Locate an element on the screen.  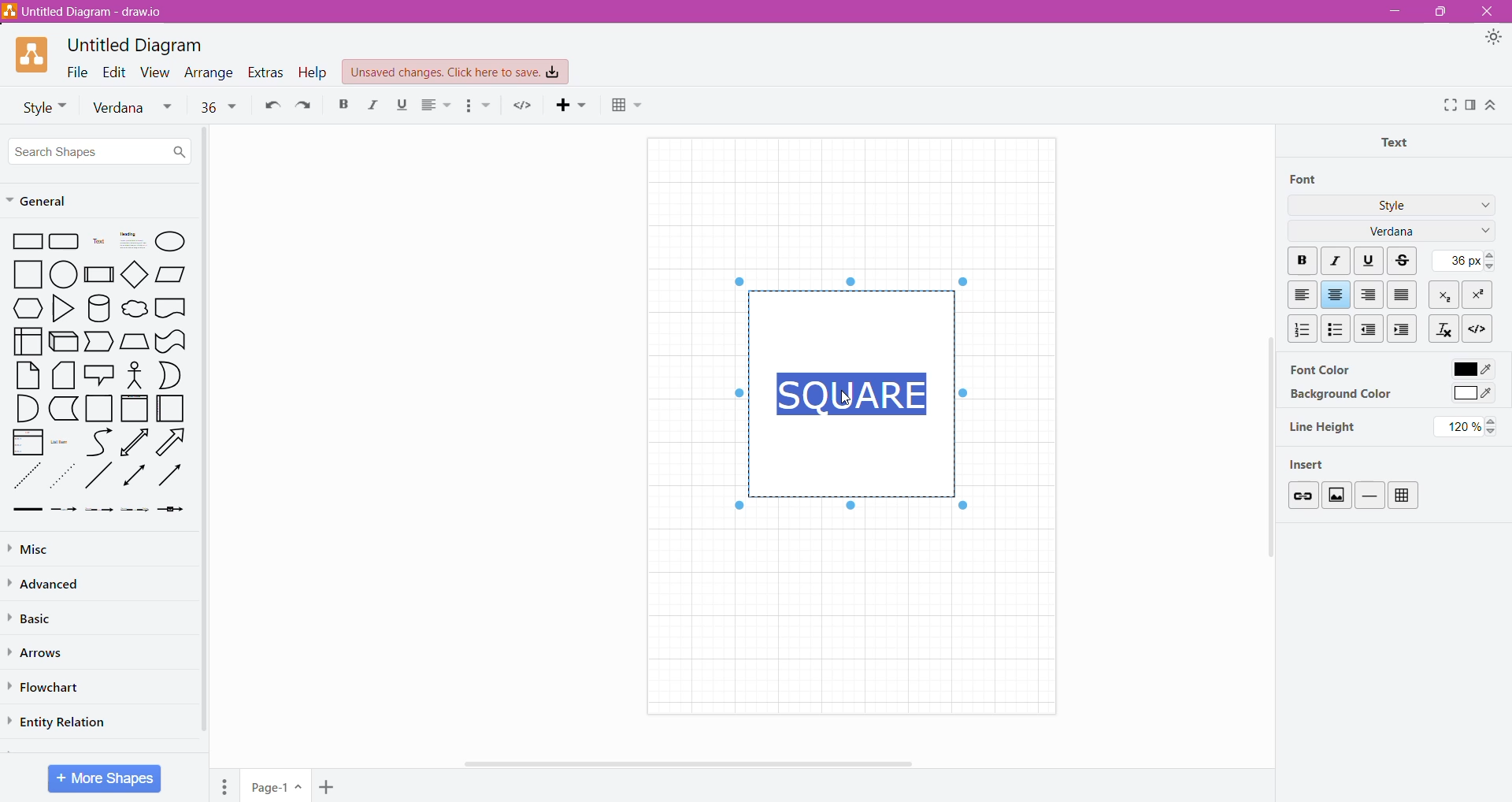
Parallelogram  is located at coordinates (171, 273).